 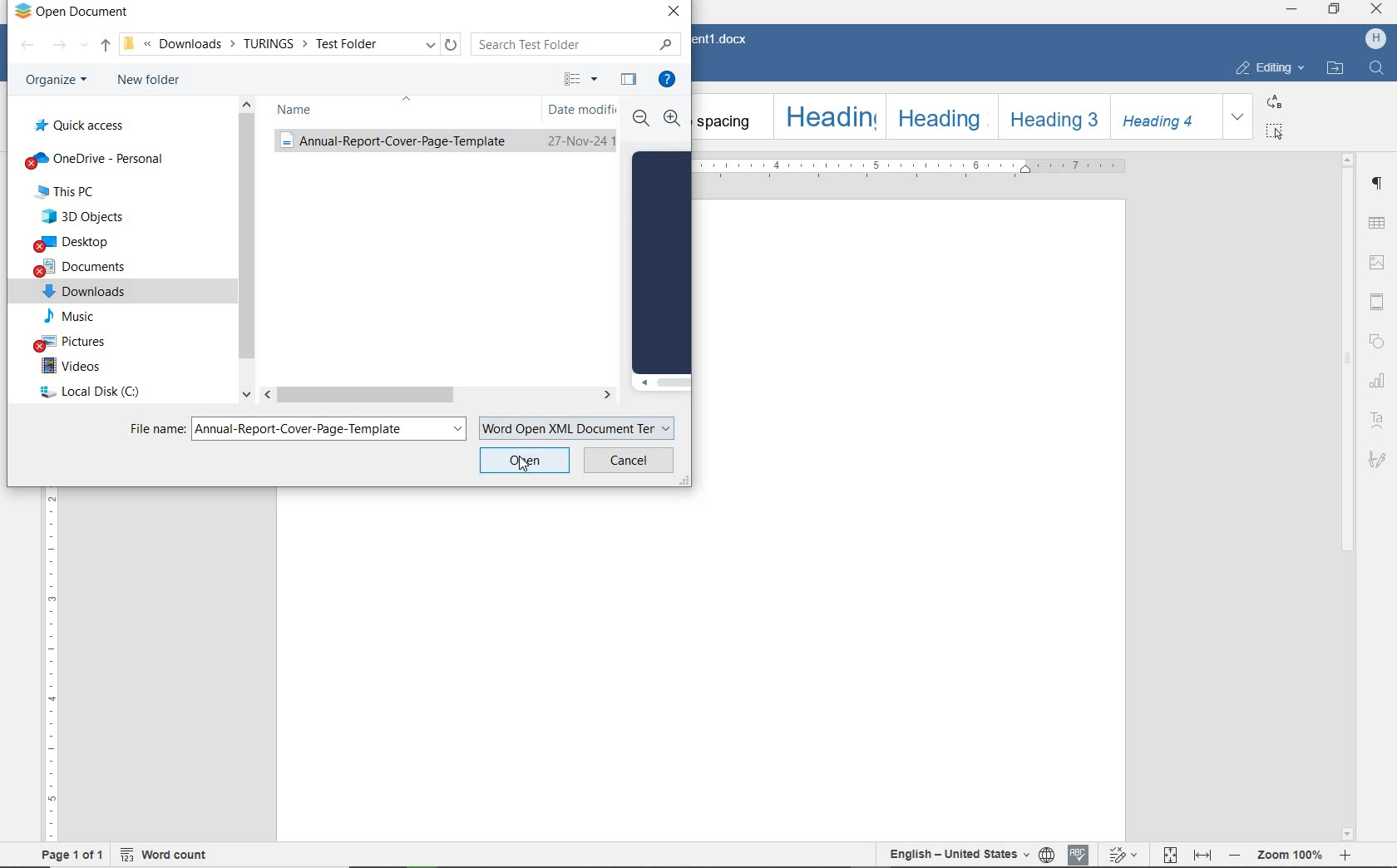 I want to click on minimize, so click(x=1292, y=10).